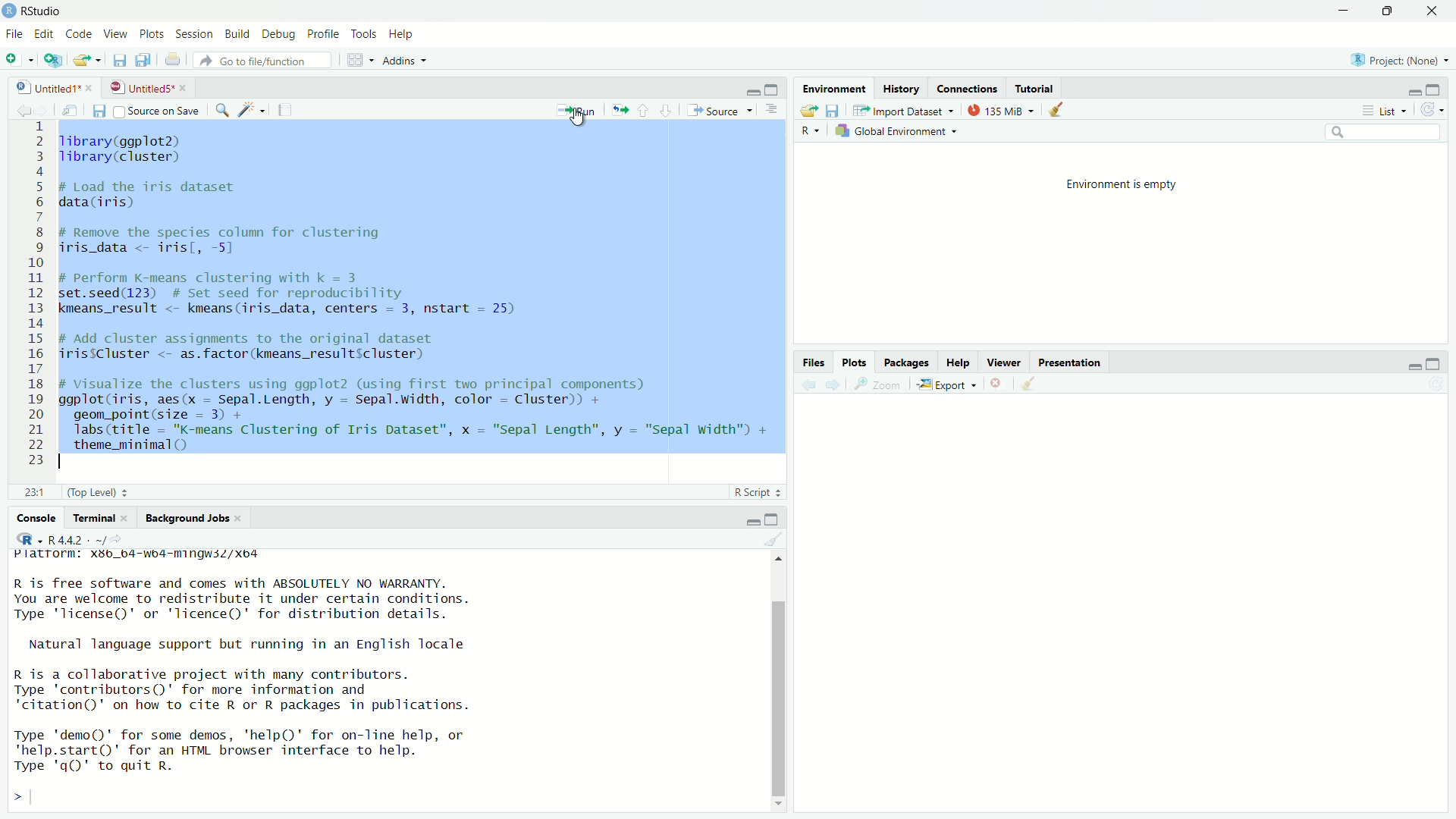 Image resolution: width=1456 pixels, height=819 pixels. What do you see at coordinates (1381, 132) in the screenshot?
I see `search field` at bounding box center [1381, 132].